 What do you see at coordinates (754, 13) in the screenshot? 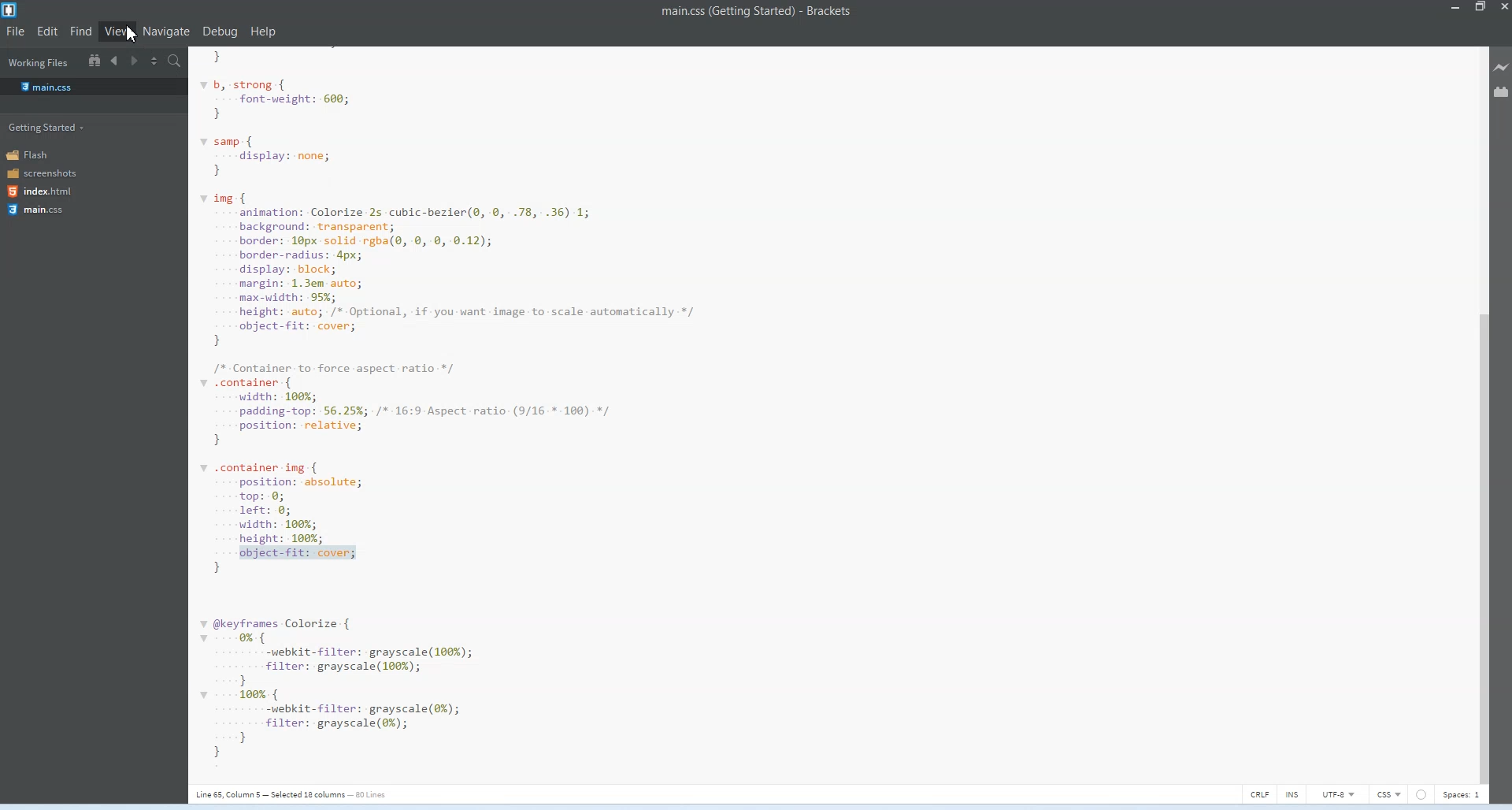
I see `main.css (Getting Started) - Brackets` at bounding box center [754, 13].